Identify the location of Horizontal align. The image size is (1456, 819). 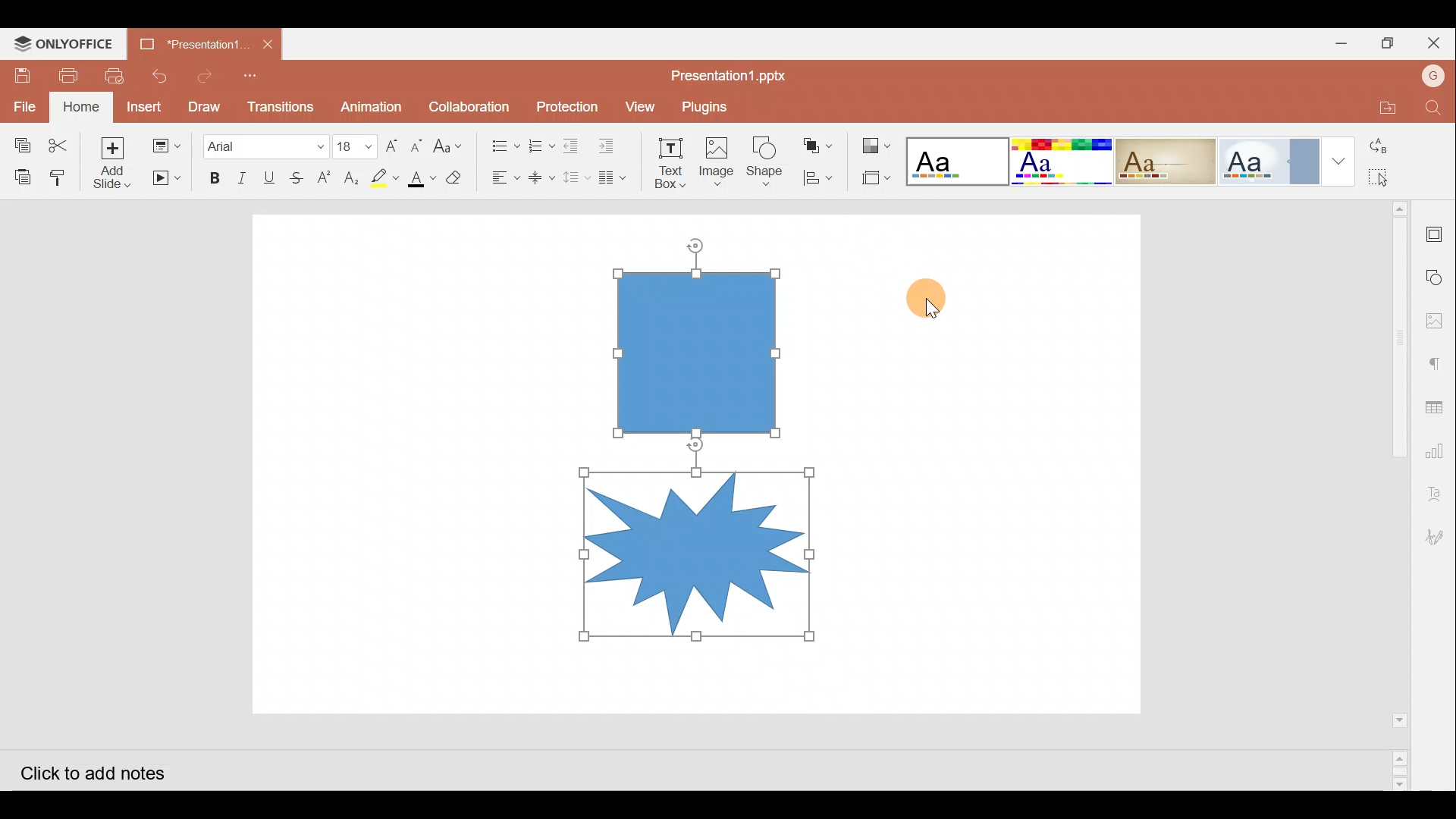
(501, 177).